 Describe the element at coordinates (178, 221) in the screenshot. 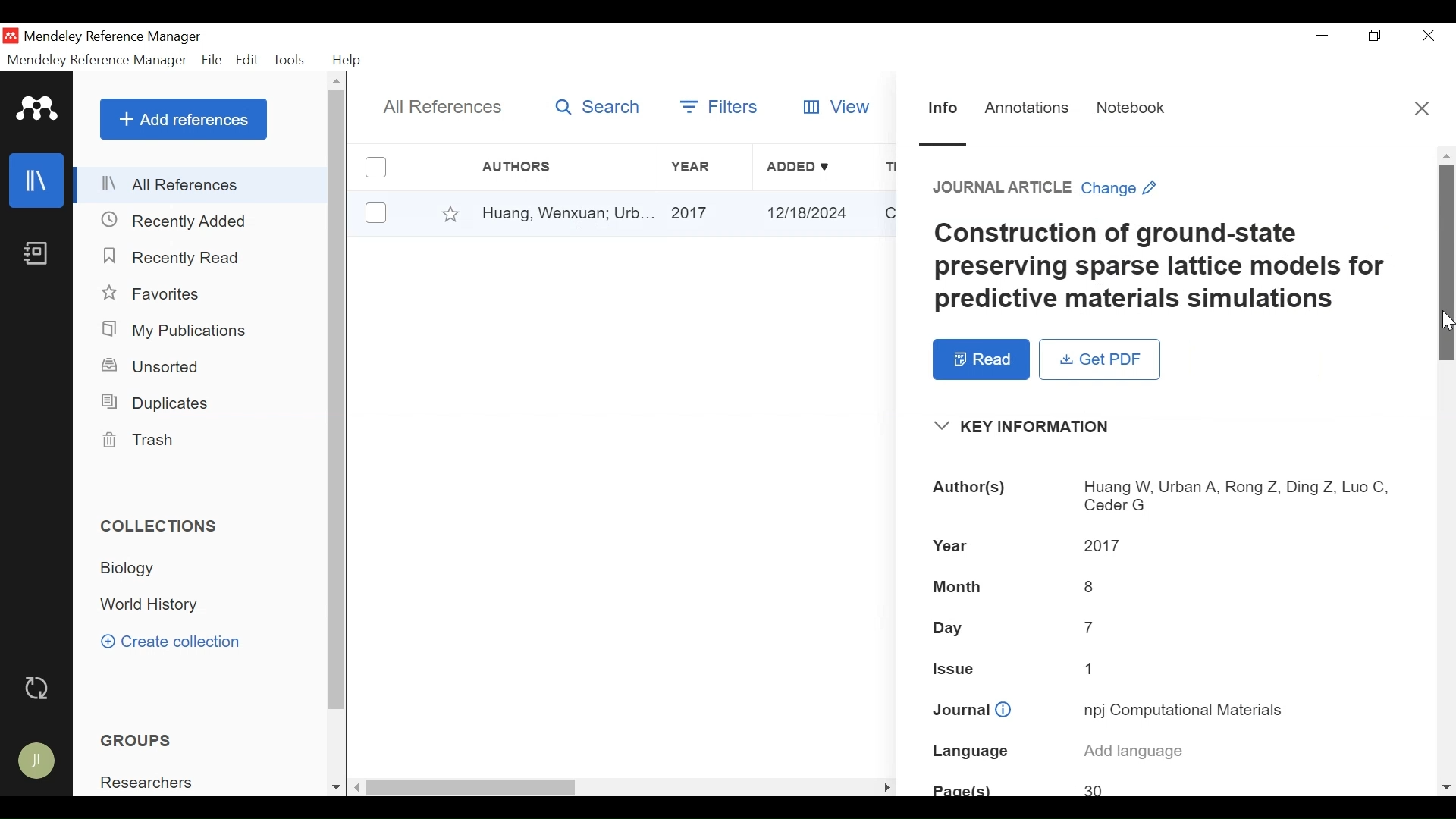

I see `Recently Added` at that location.